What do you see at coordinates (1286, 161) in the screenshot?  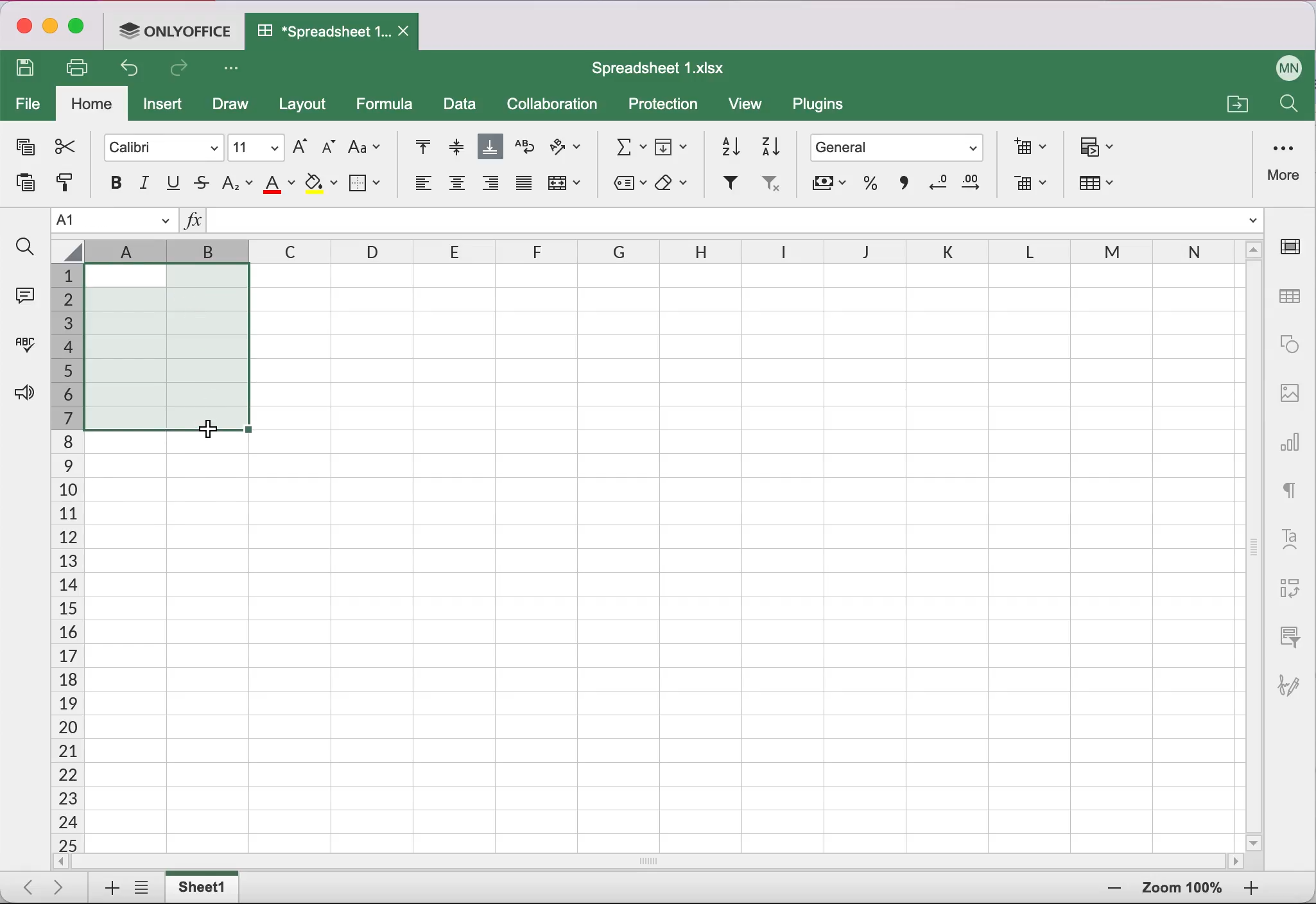 I see `more` at bounding box center [1286, 161].